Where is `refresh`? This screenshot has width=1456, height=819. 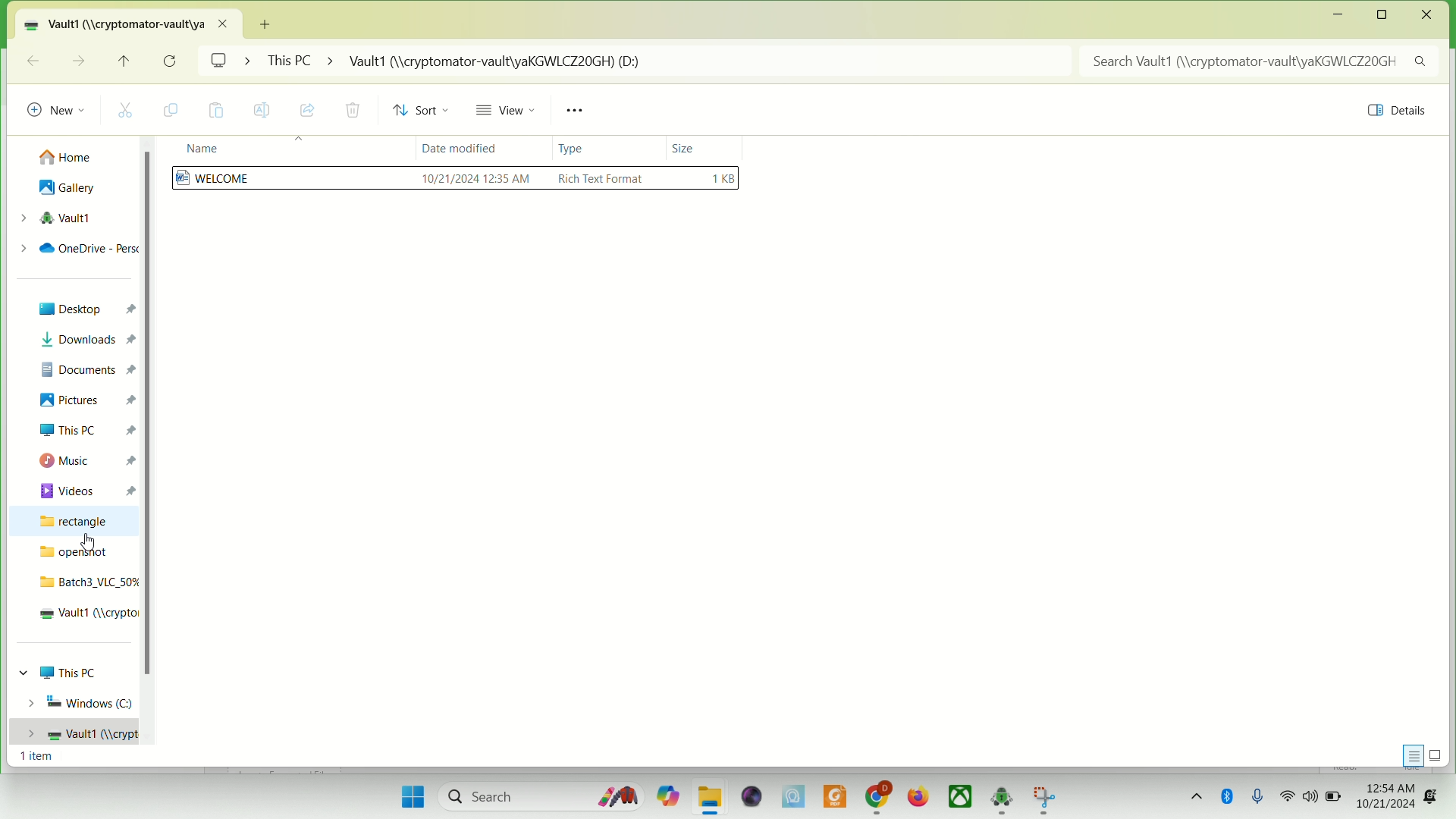 refresh is located at coordinates (171, 61).